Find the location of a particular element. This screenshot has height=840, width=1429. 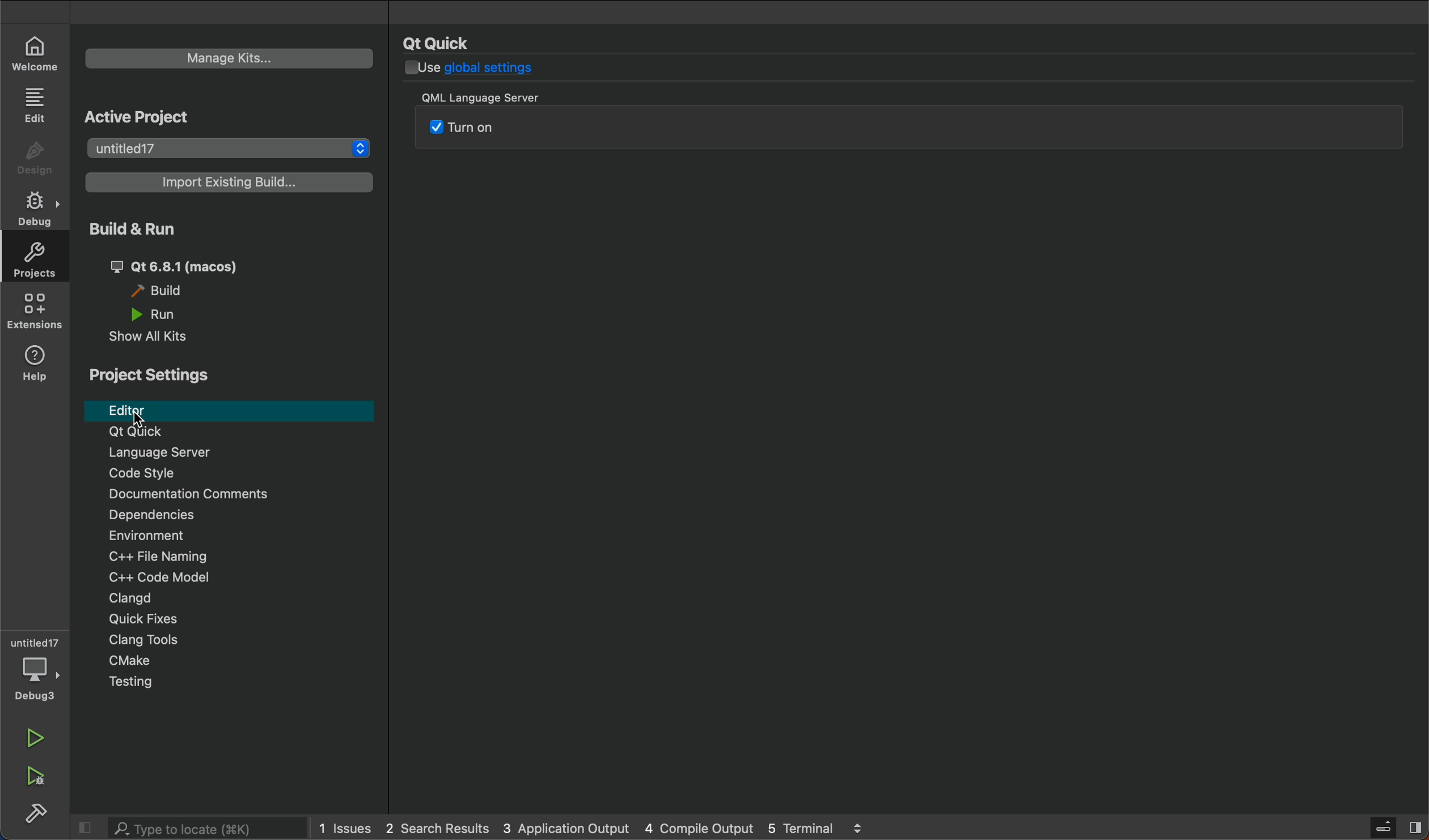

code modal is located at coordinates (218, 576).